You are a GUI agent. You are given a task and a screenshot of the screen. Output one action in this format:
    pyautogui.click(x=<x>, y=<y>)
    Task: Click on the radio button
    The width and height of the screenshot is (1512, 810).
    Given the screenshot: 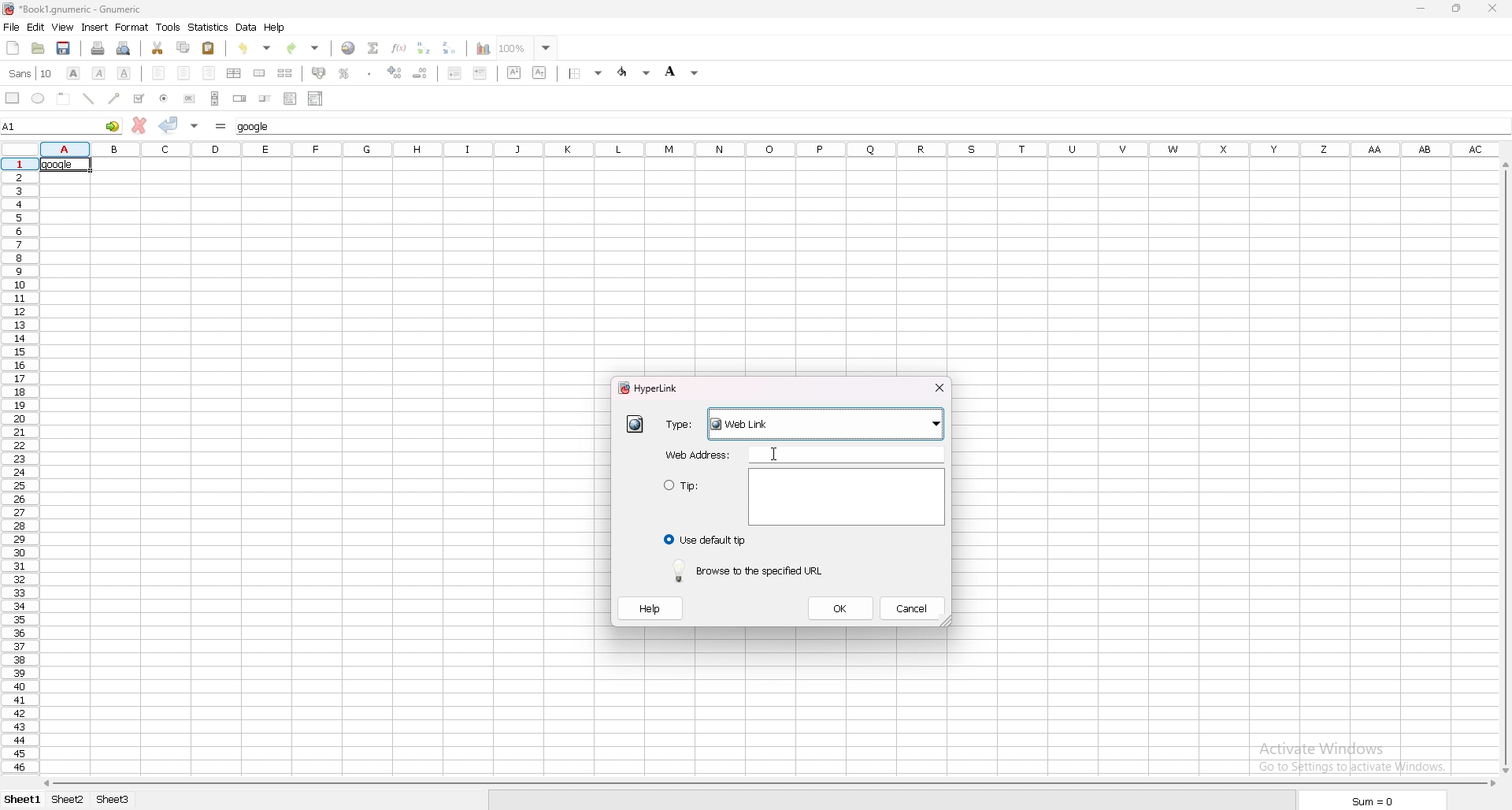 What is the action you would take?
    pyautogui.click(x=168, y=98)
    